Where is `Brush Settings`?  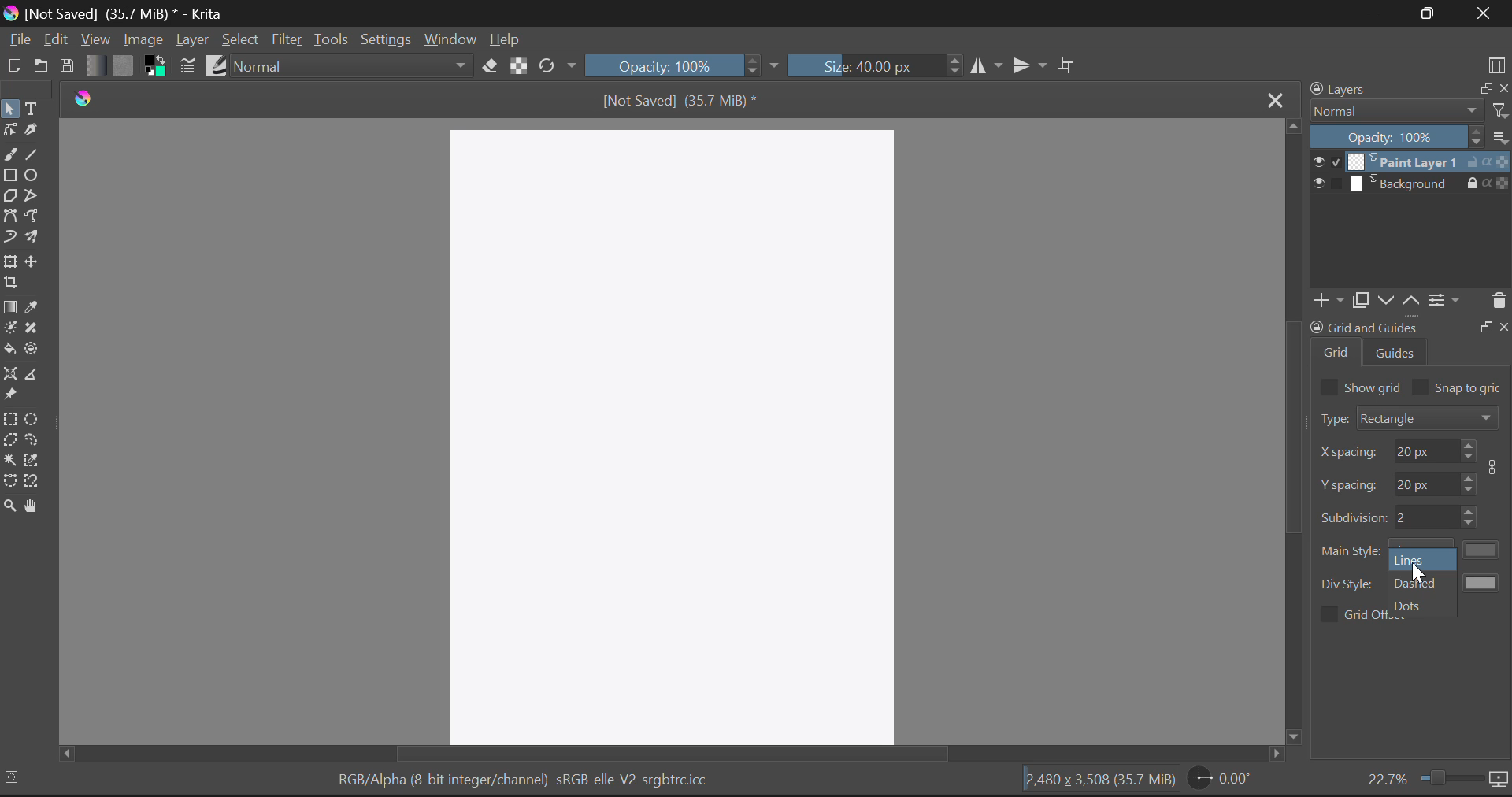 Brush Settings is located at coordinates (186, 67).